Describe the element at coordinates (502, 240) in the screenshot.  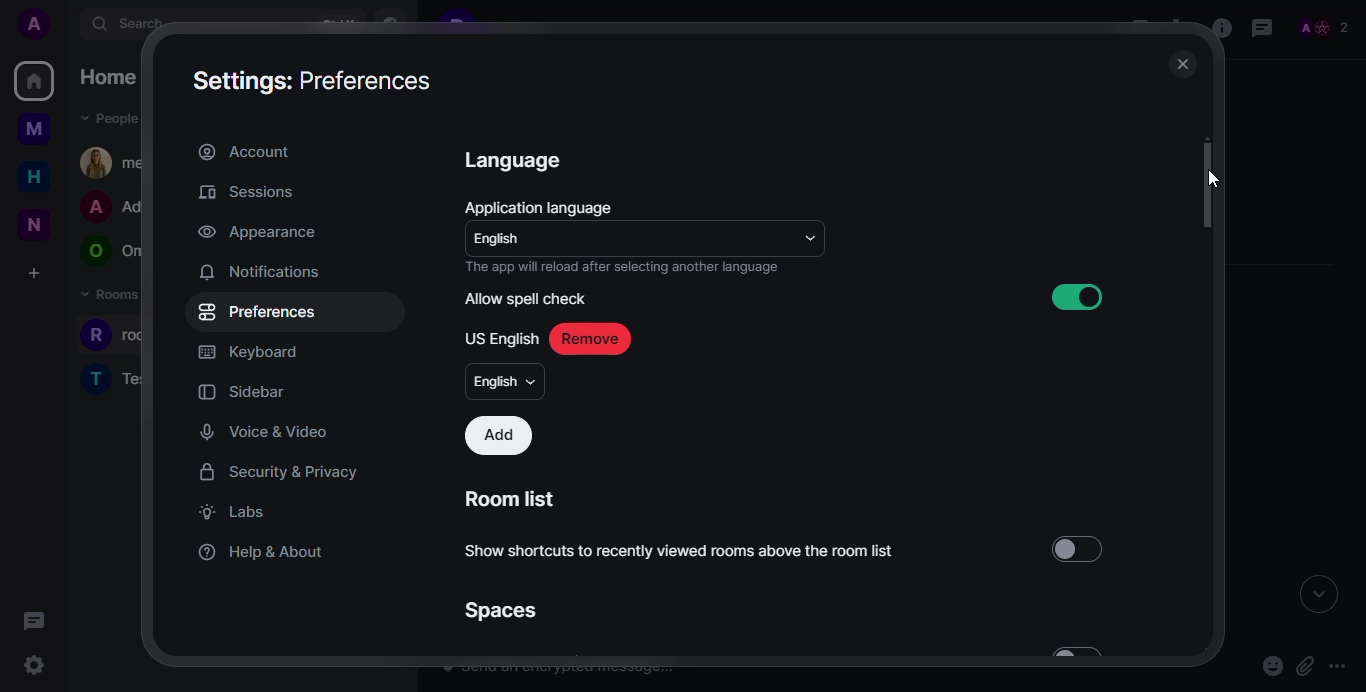
I see `english` at that location.